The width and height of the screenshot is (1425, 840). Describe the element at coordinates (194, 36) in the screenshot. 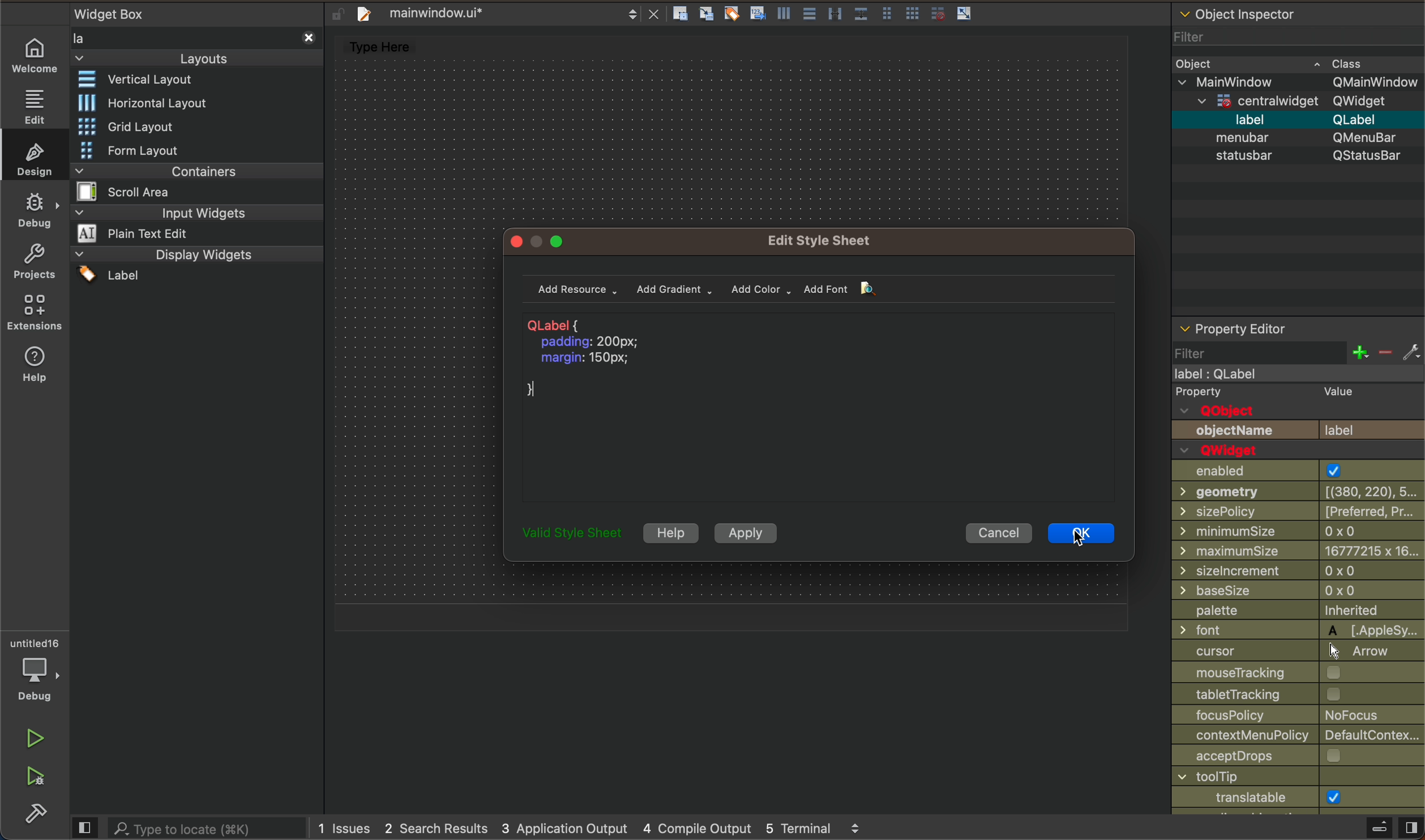

I see `widget box` at that location.